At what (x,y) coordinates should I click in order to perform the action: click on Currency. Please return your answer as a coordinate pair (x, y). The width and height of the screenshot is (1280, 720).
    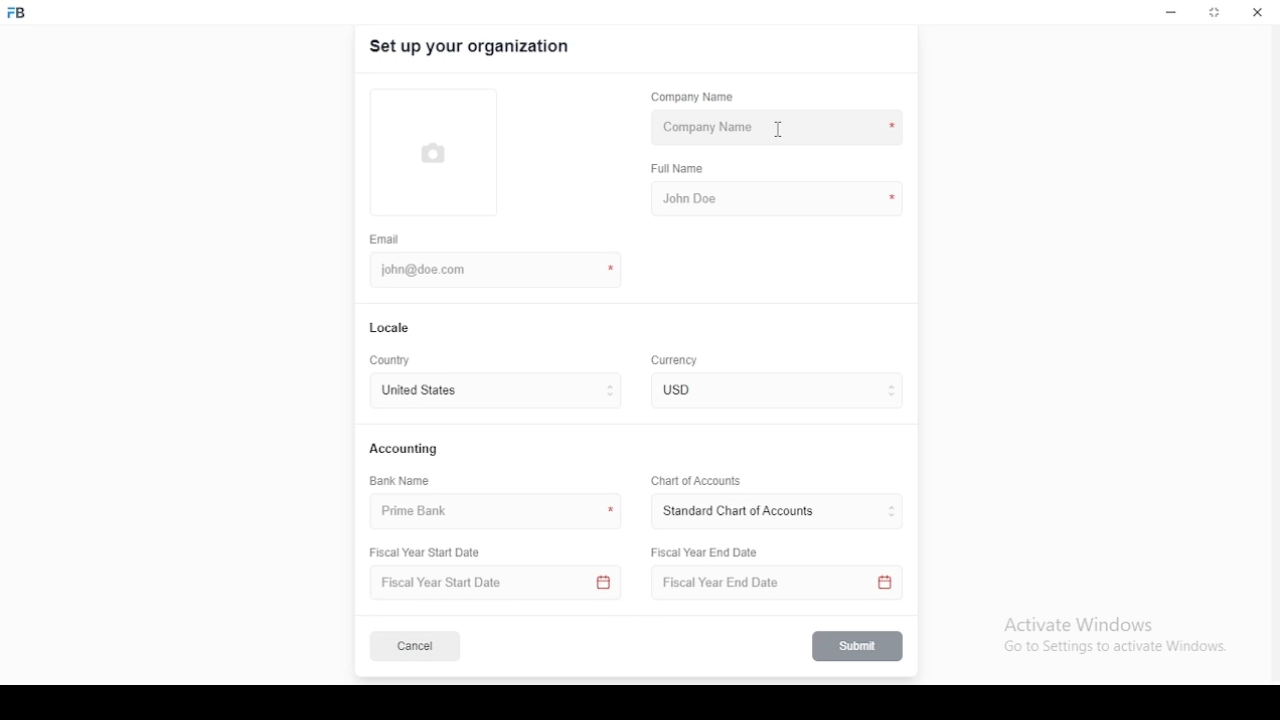
    Looking at the image, I should click on (675, 361).